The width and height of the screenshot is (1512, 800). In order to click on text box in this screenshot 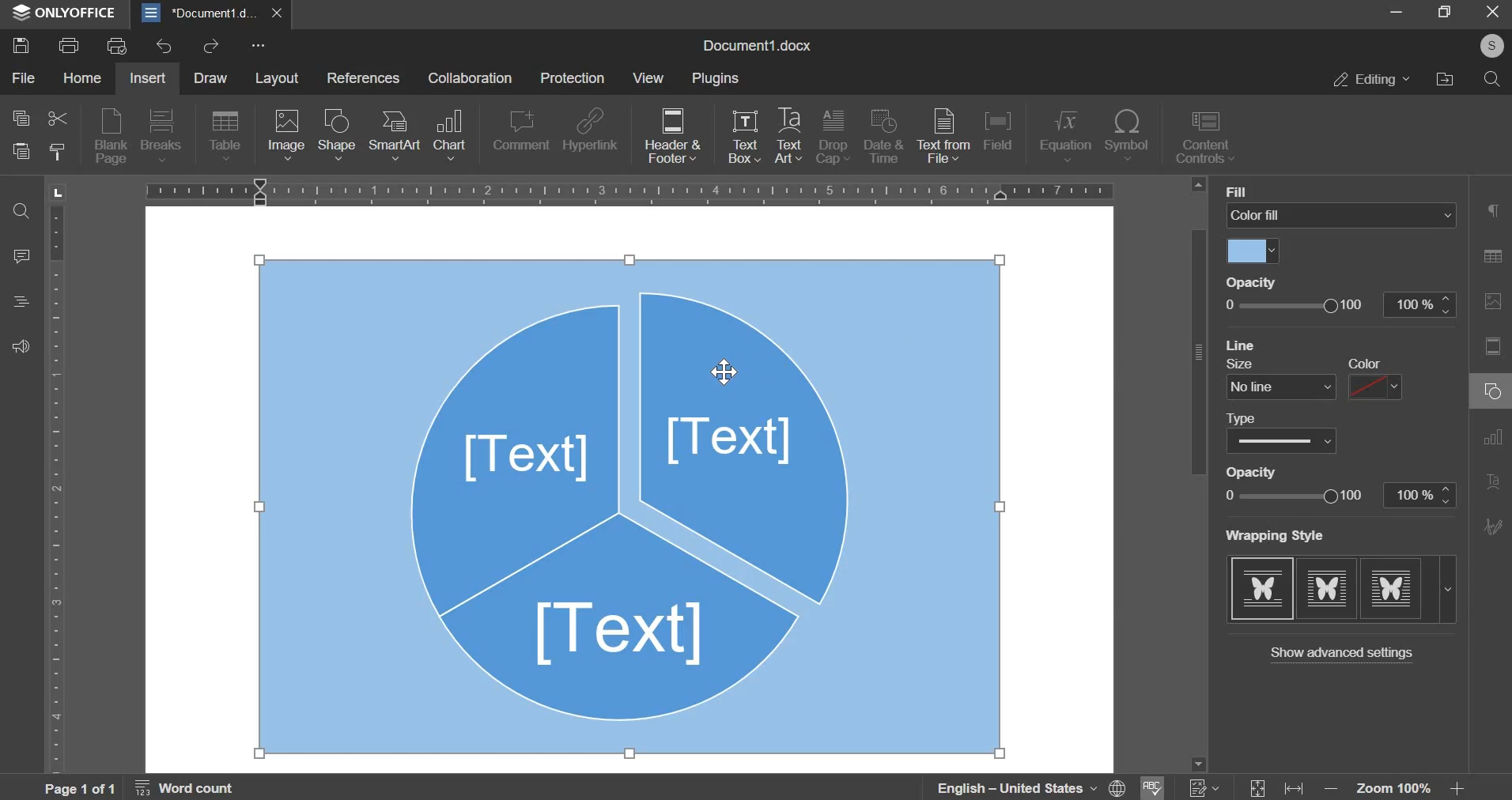, I will do `click(744, 140)`.